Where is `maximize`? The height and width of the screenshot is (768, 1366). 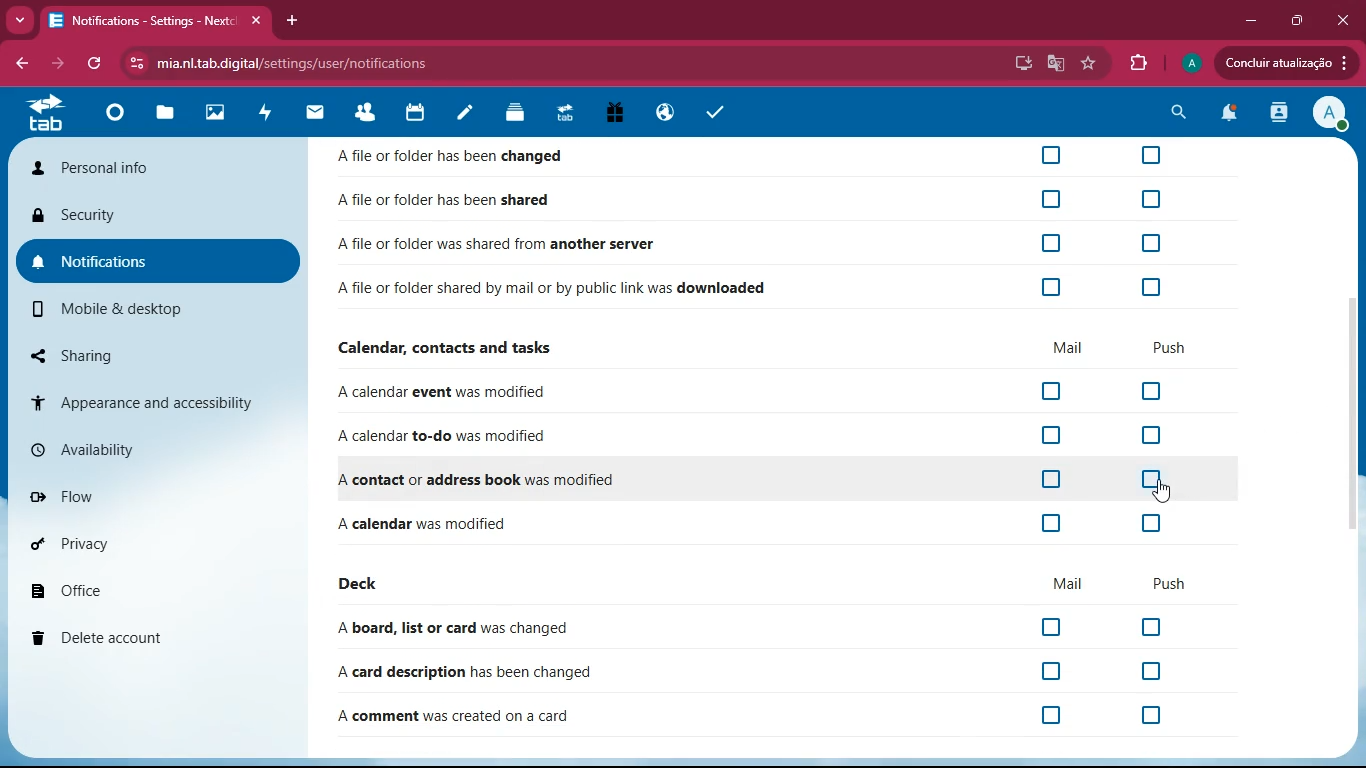
maximize is located at coordinates (1295, 21).